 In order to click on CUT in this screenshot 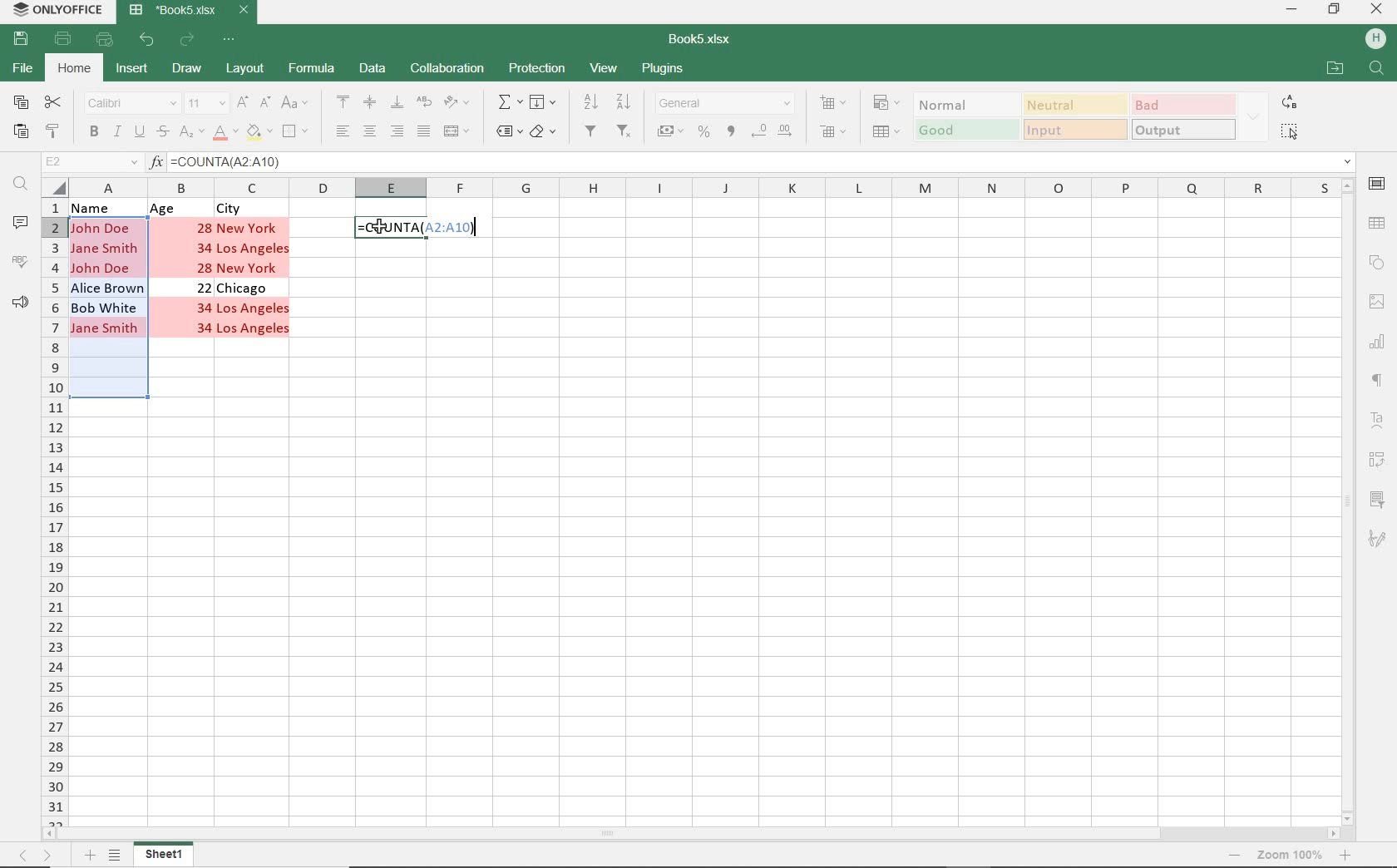, I will do `click(52, 101)`.